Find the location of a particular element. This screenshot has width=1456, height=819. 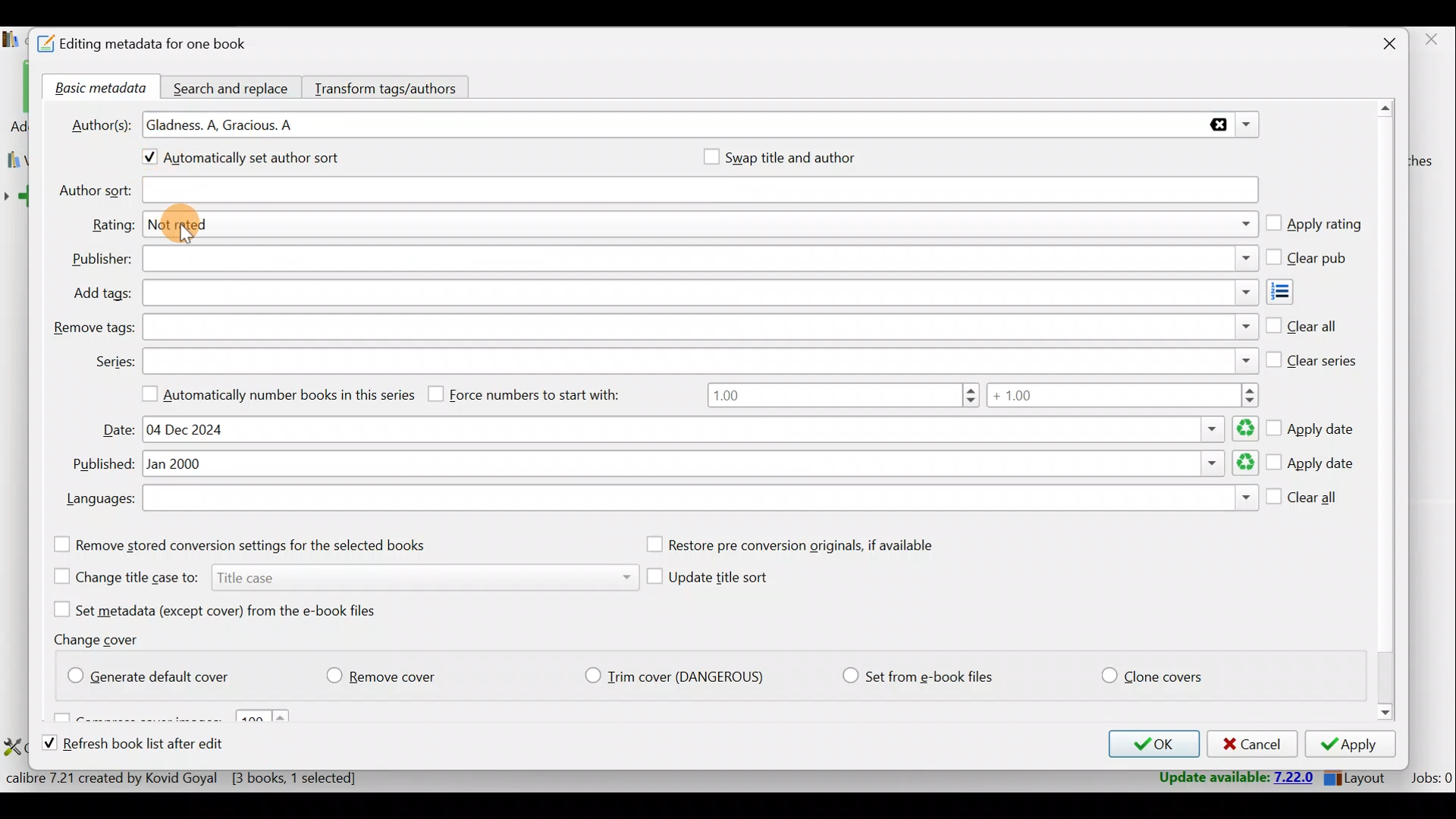

Scroll bar is located at coordinates (1387, 413).